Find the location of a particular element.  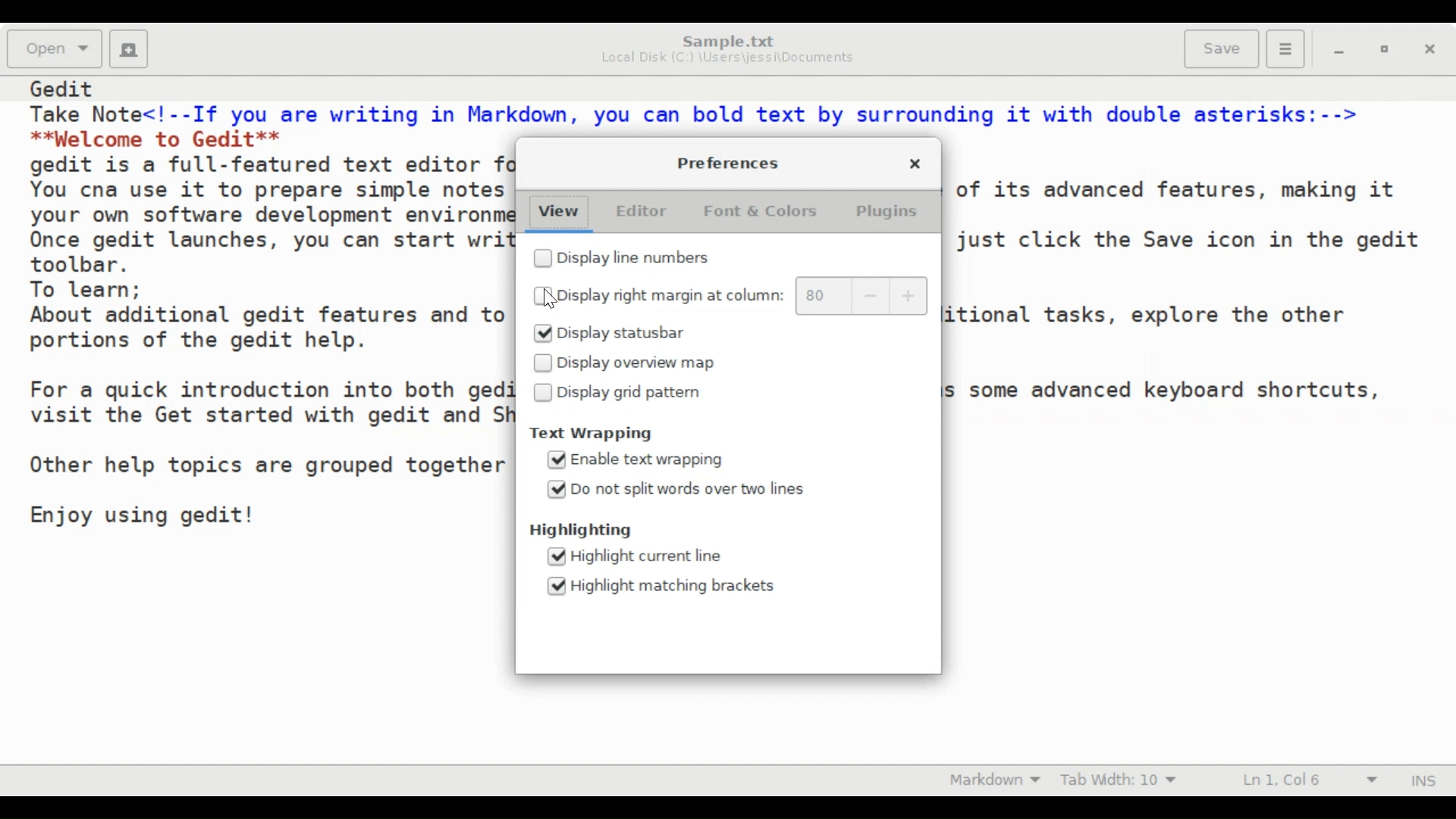

cursor is located at coordinates (552, 302).